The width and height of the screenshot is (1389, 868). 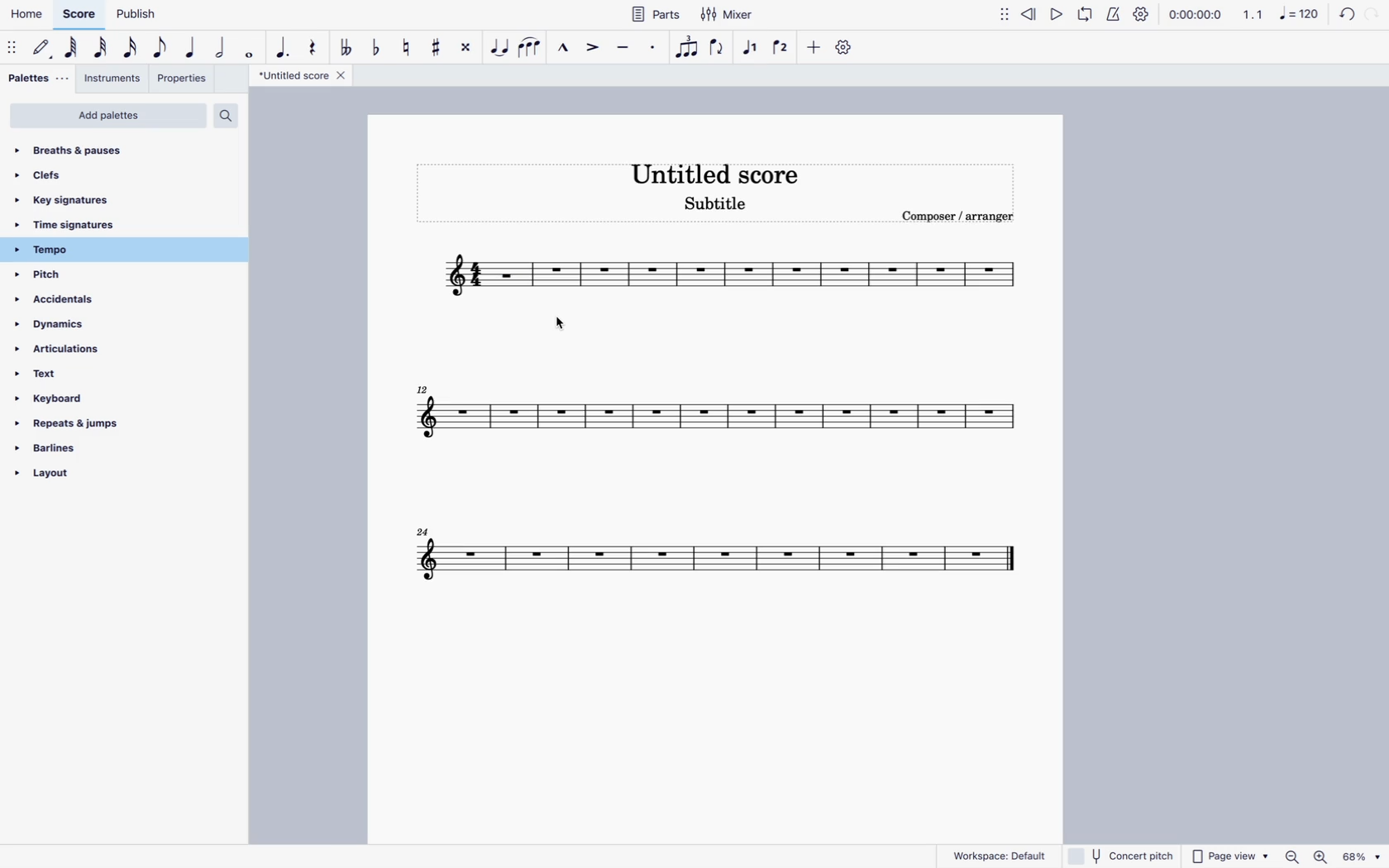 What do you see at coordinates (108, 198) in the screenshot?
I see `key signatures` at bounding box center [108, 198].